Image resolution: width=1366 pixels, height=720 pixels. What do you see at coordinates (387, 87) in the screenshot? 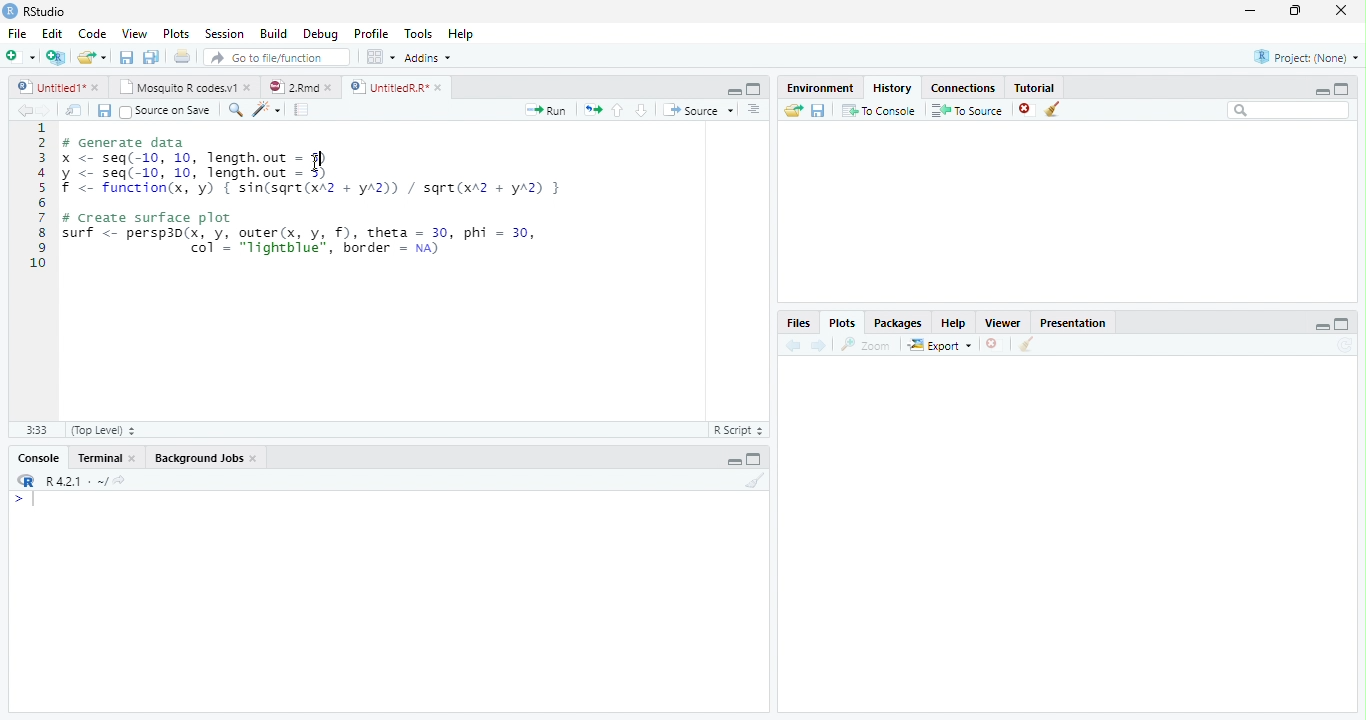
I see `UntitledR.R*` at bounding box center [387, 87].